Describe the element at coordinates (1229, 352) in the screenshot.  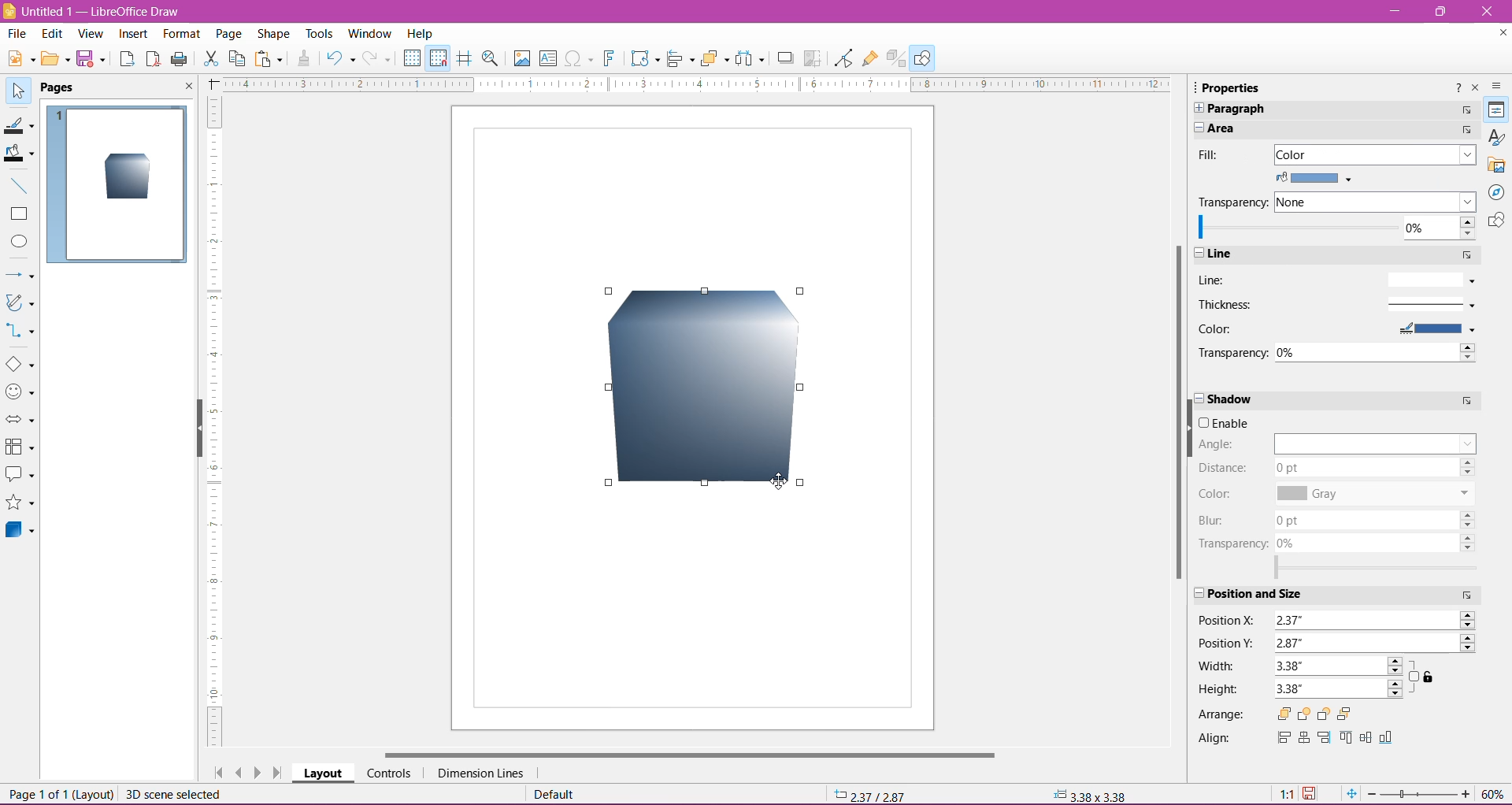
I see `Transparency` at that location.